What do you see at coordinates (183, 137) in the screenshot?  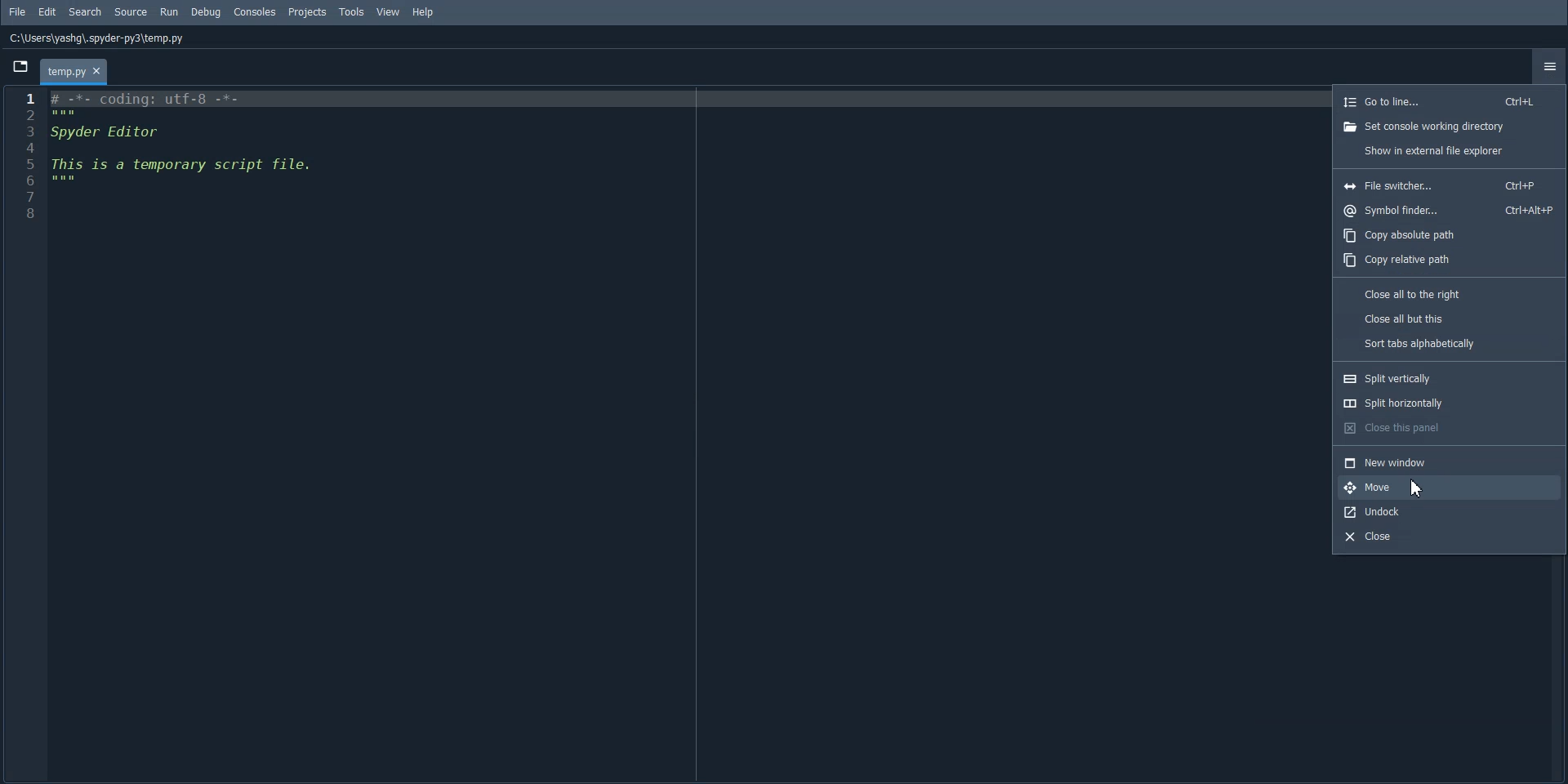 I see `# -*- coding: utf-8 -*-Spyder EditorThis is a temporary script file.` at bounding box center [183, 137].